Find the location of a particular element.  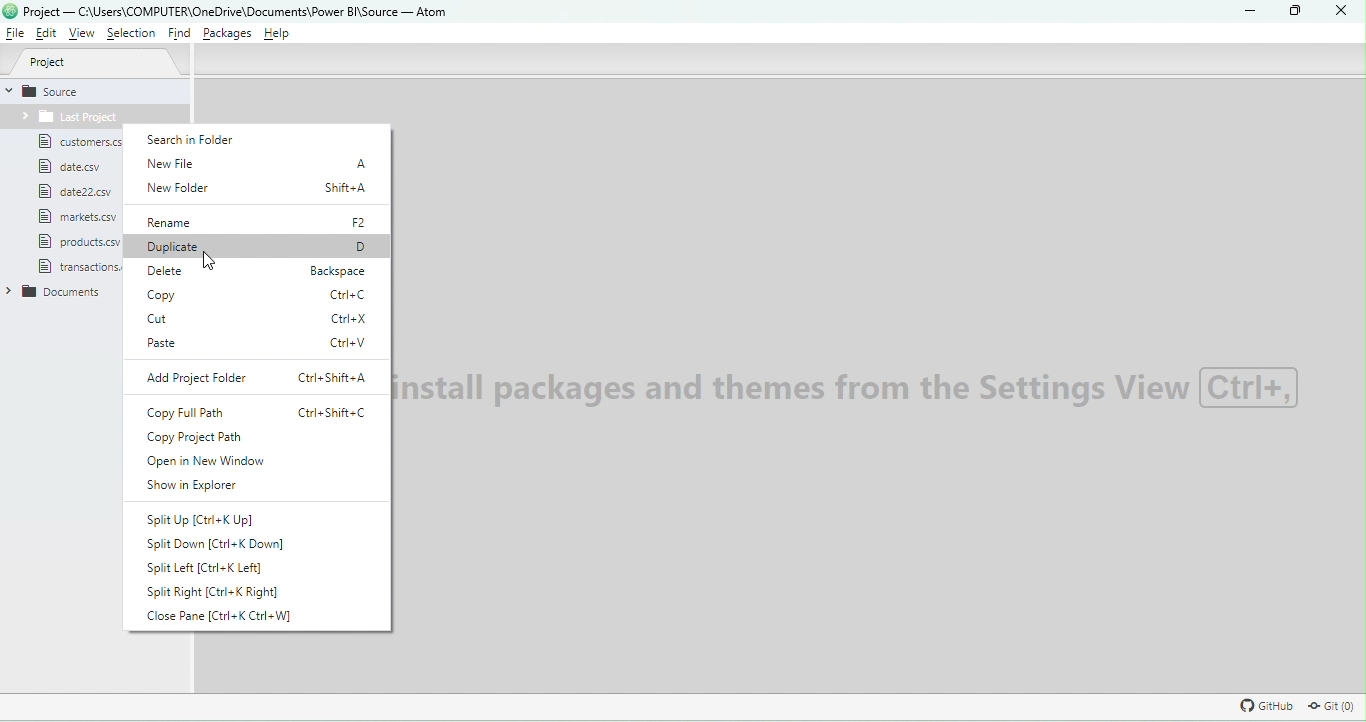

Cut is located at coordinates (262, 319).